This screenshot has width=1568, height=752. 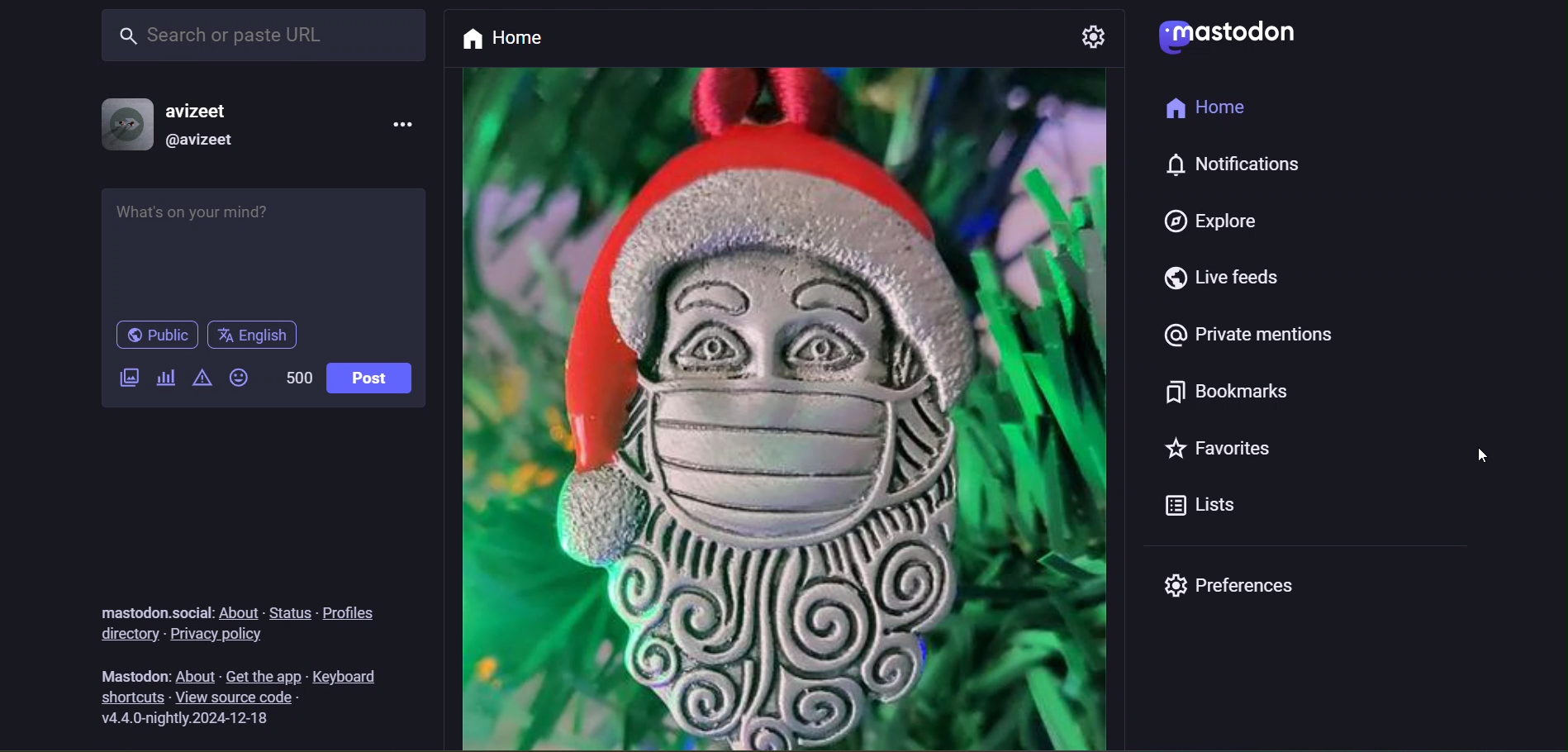 What do you see at coordinates (373, 377) in the screenshot?
I see `post` at bounding box center [373, 377].